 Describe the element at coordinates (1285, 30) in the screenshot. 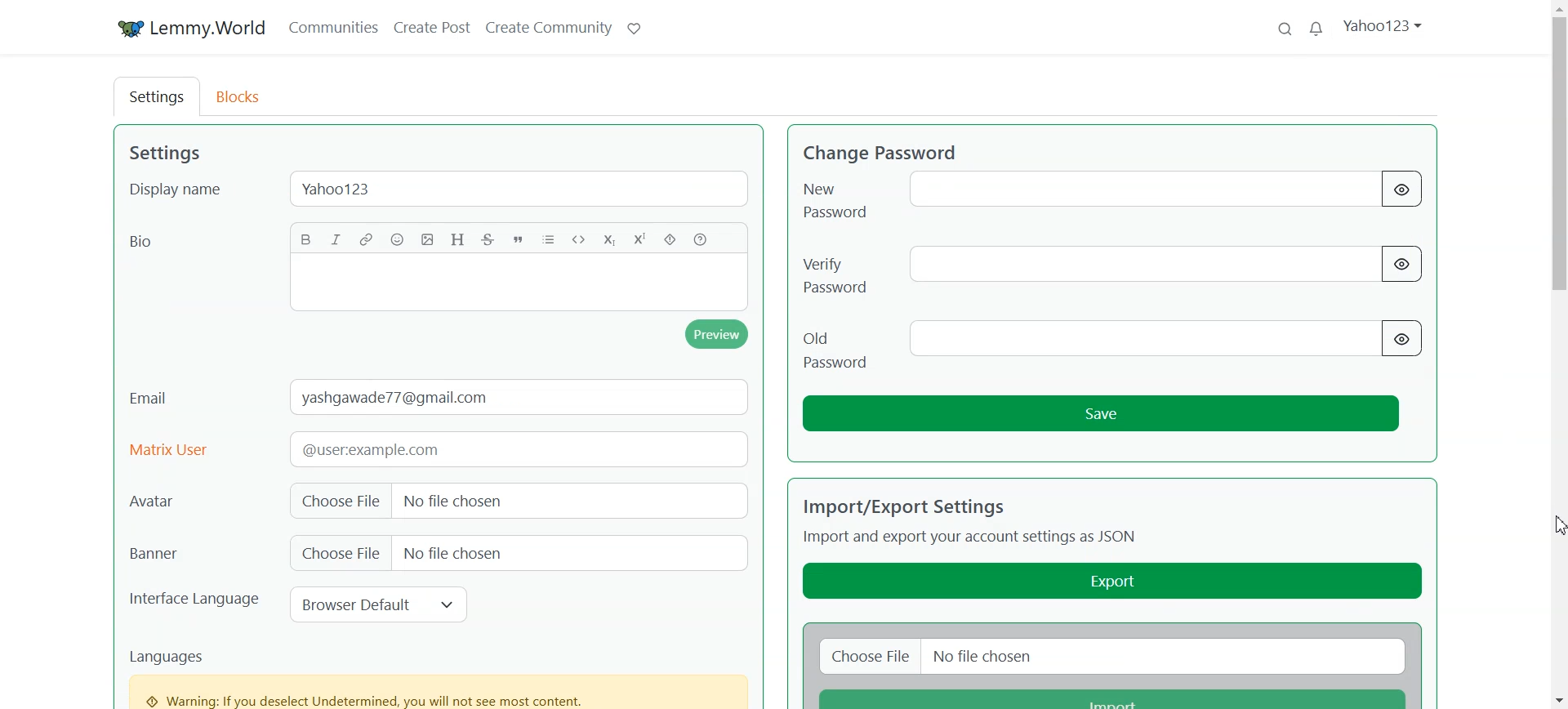

I see `Search` at that location.